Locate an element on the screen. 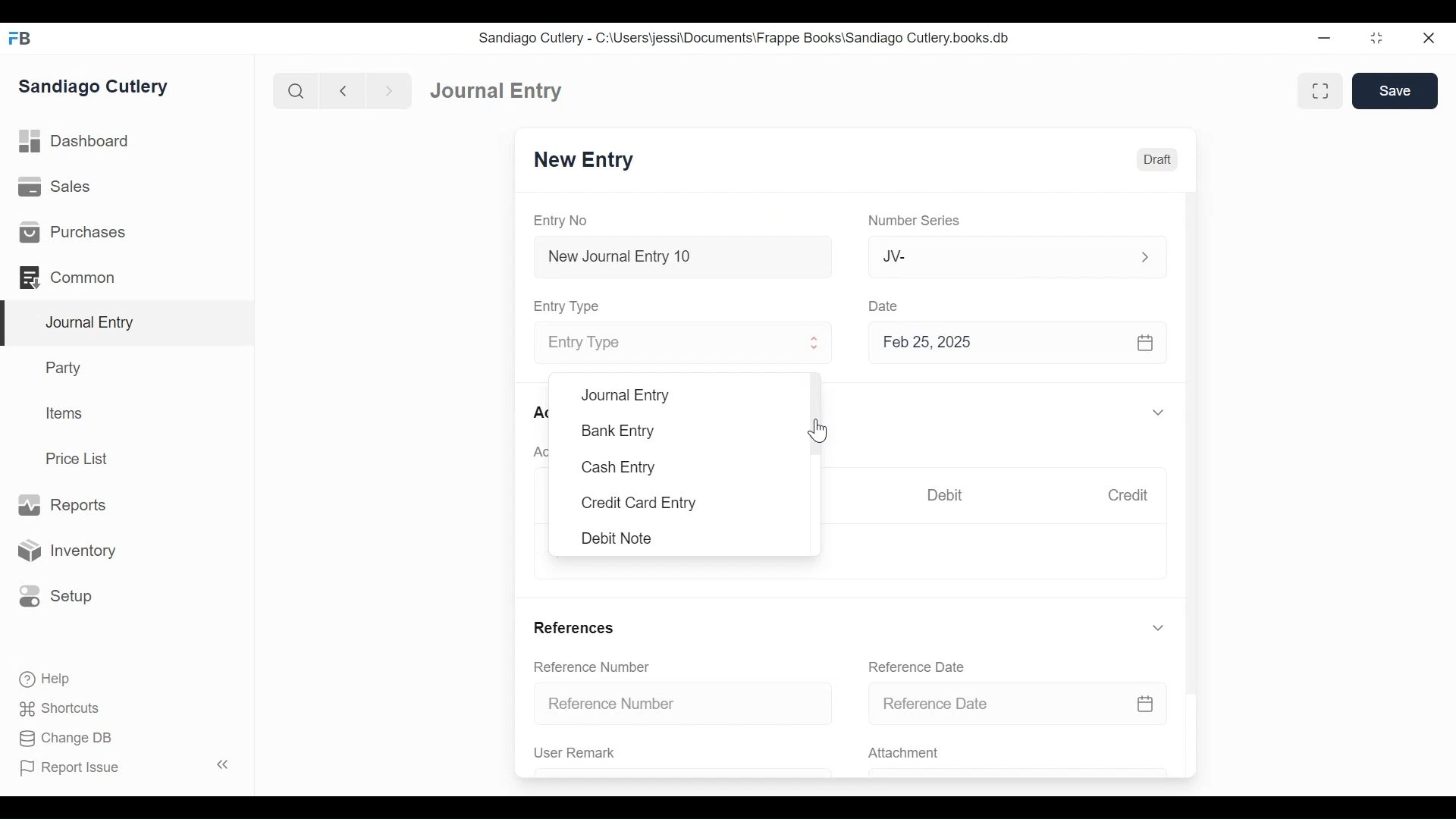 Image resolution: width=1456 pixels, height=819 pixels. Change DB is located at coordinates (61, 738).